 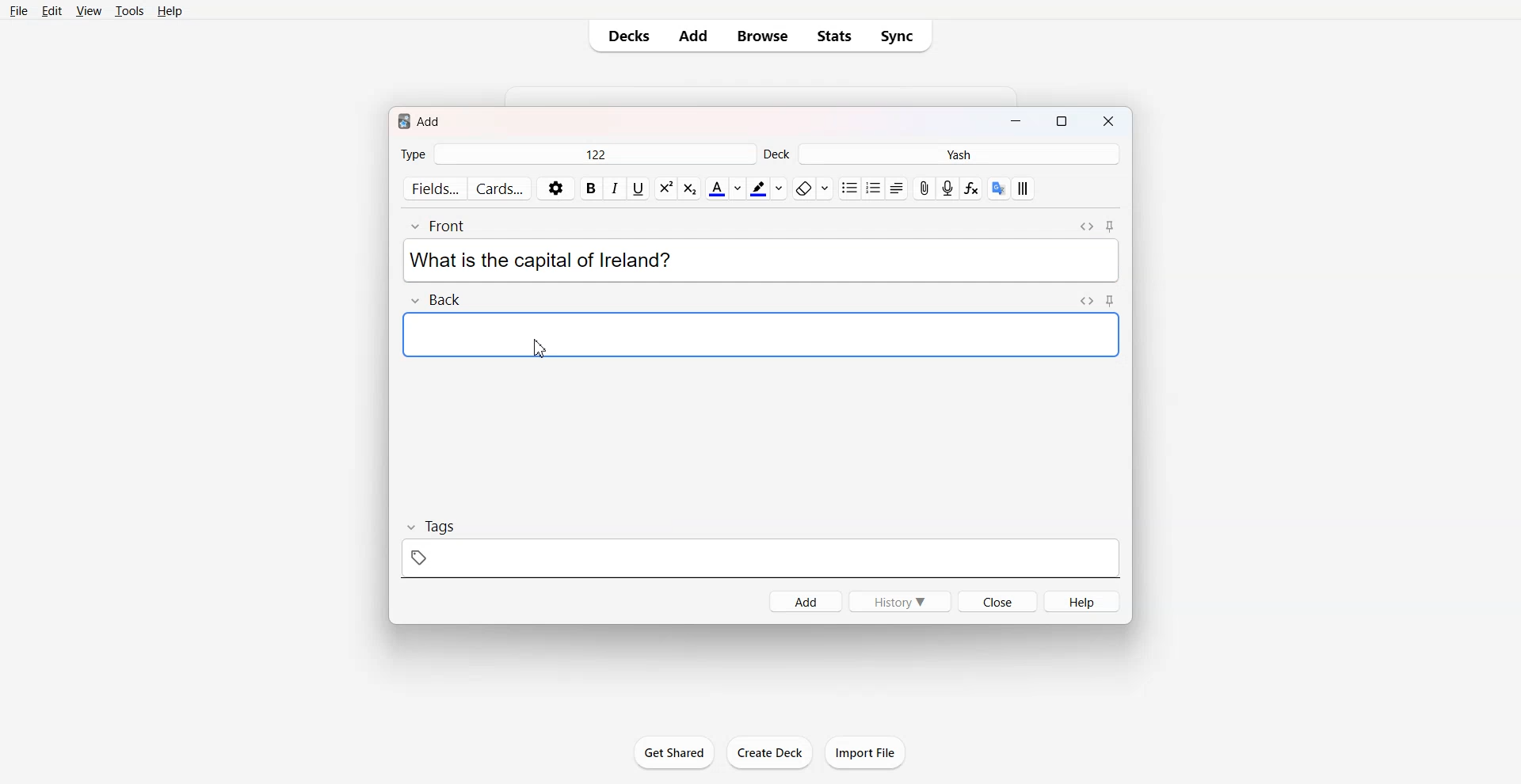 I want to click on Close, so click(x=997, y=601).